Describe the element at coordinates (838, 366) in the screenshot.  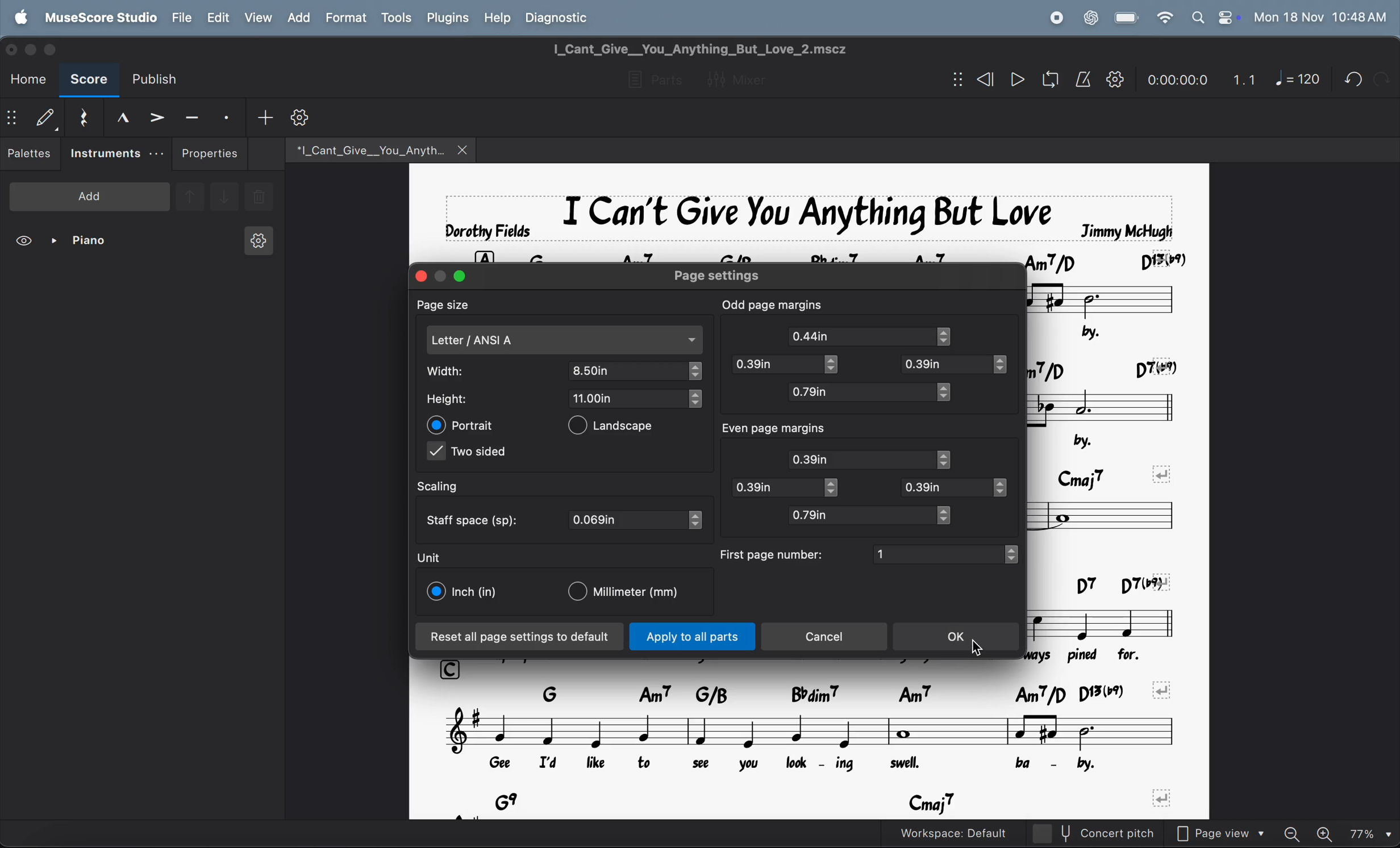
I see `toogle` at that location.